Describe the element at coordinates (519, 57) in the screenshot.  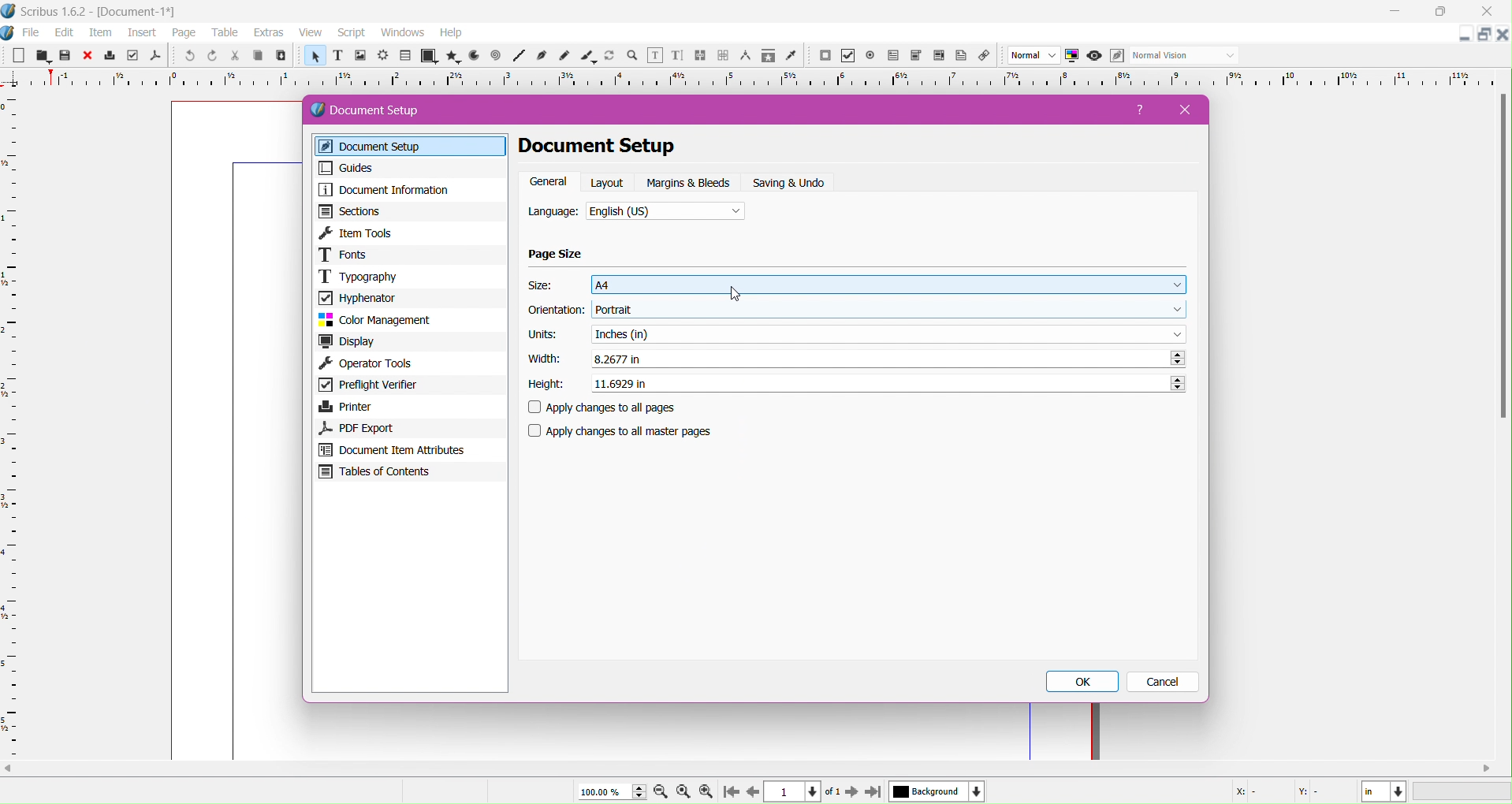
I see `line` at that location.